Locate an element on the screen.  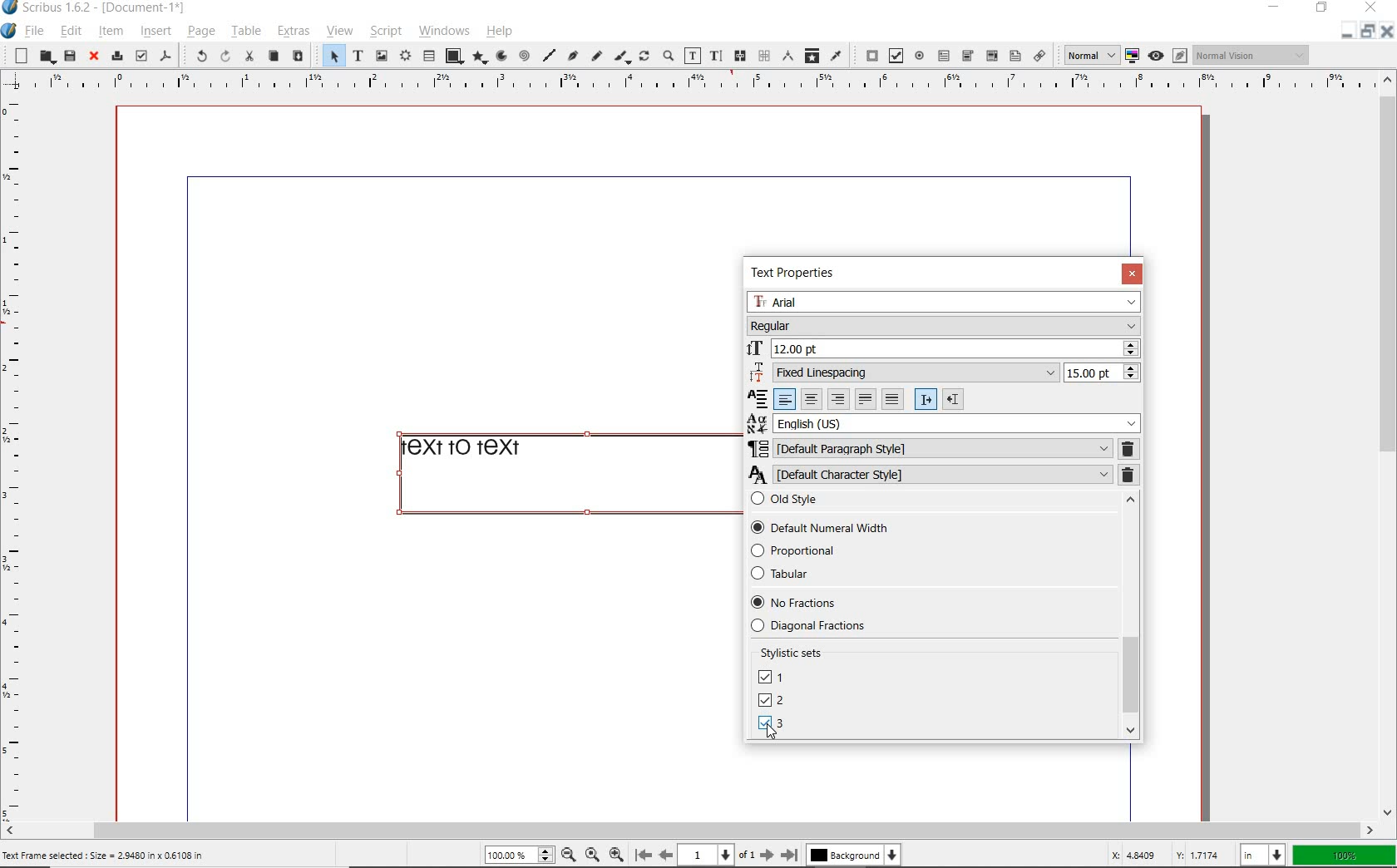
arc is located at coordinates (500, 57).